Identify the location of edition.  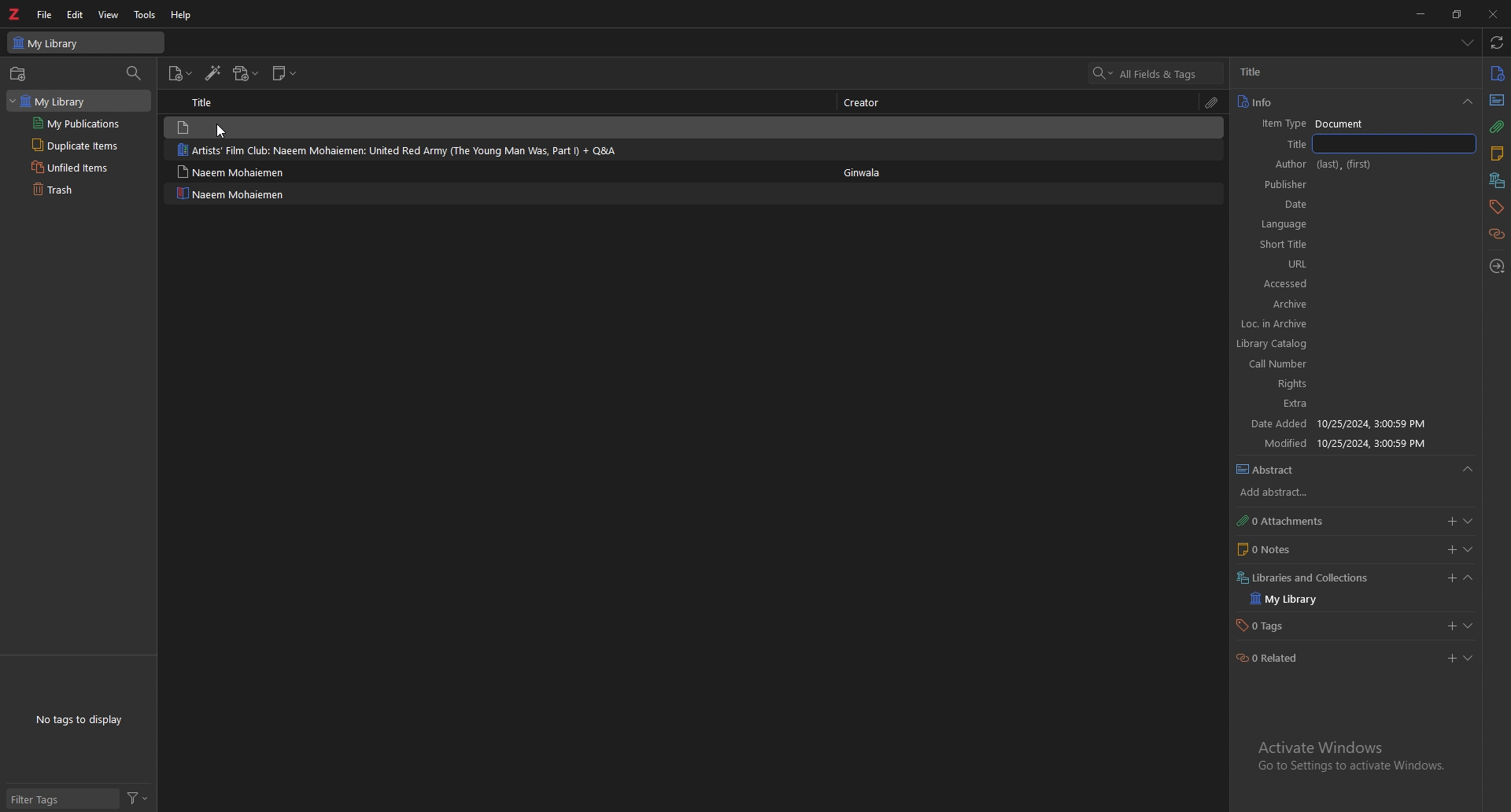
(1279, 285).